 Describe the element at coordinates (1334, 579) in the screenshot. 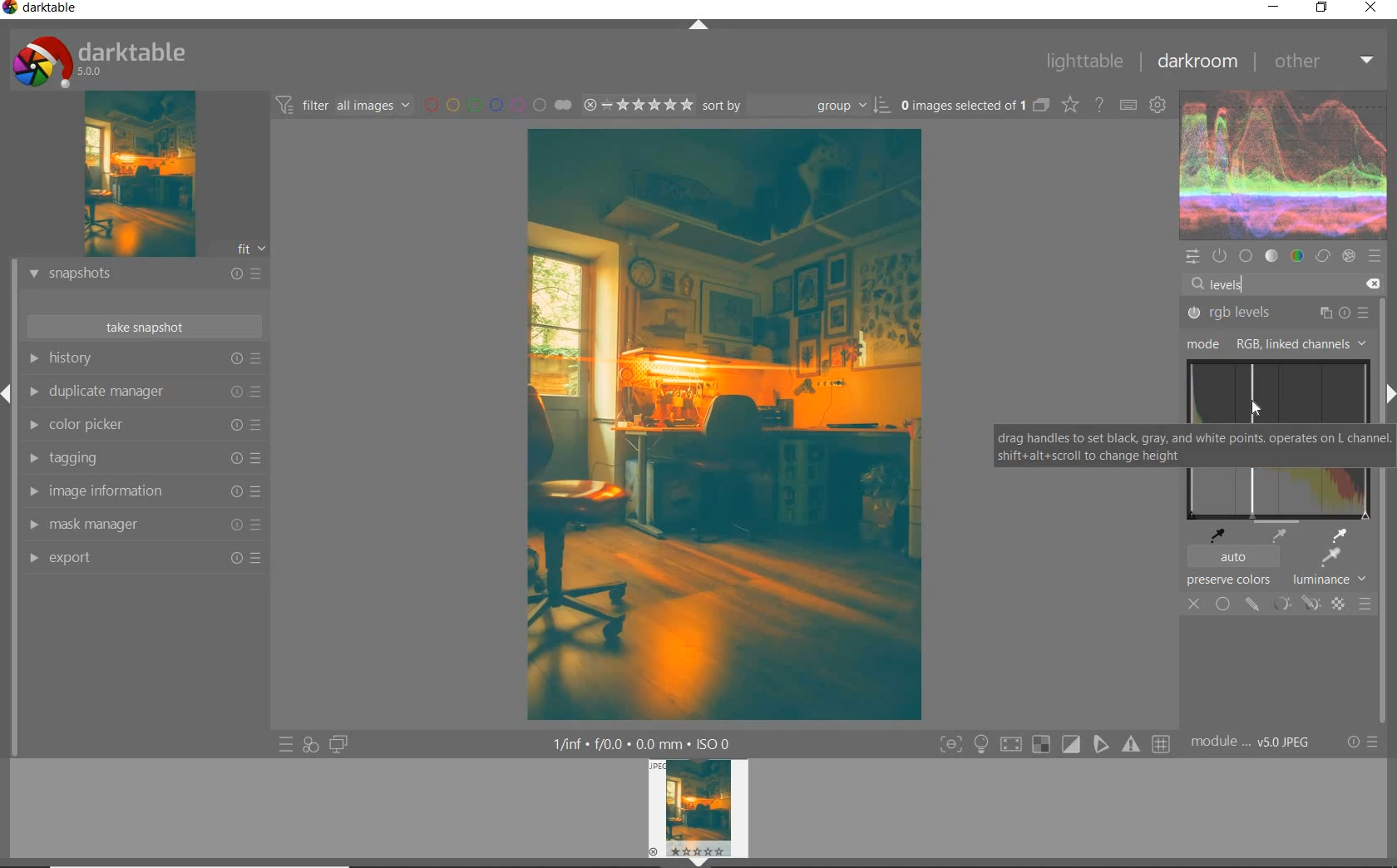

I see `lunminance` at that location.